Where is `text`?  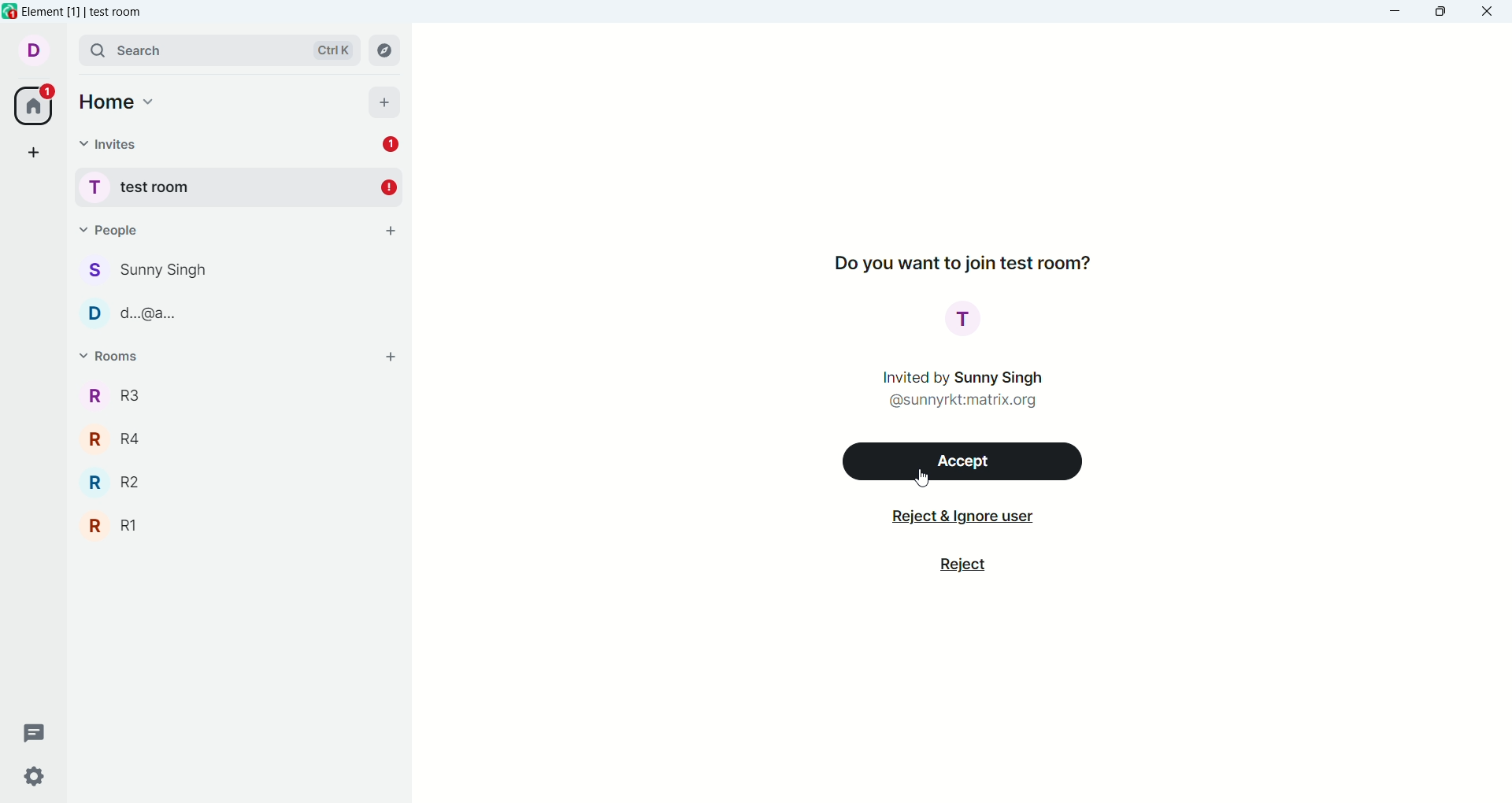 text is located at coordinates (962, 261).